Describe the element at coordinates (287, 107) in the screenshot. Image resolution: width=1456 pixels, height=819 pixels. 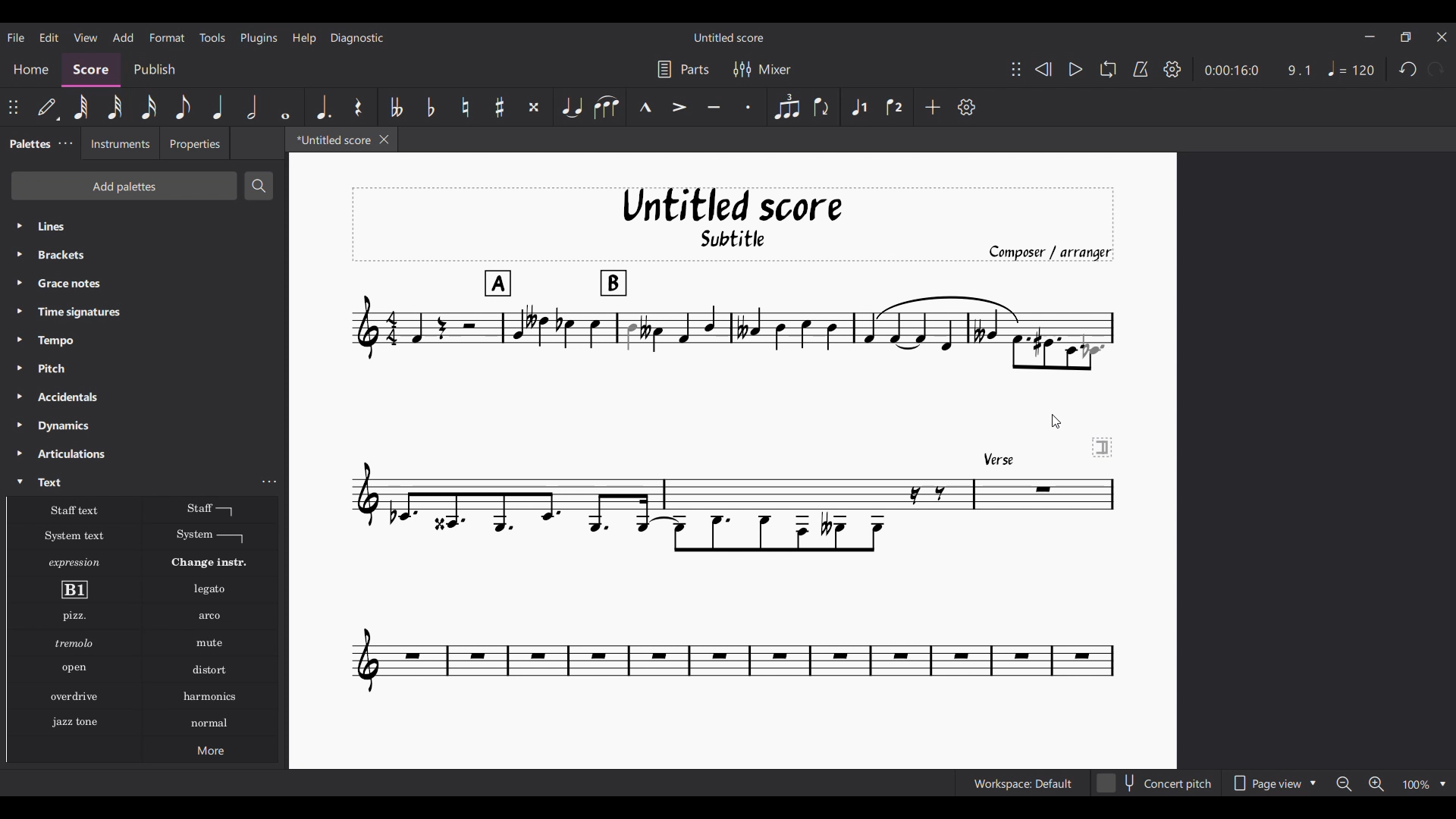
I see `Whole note` at that location.